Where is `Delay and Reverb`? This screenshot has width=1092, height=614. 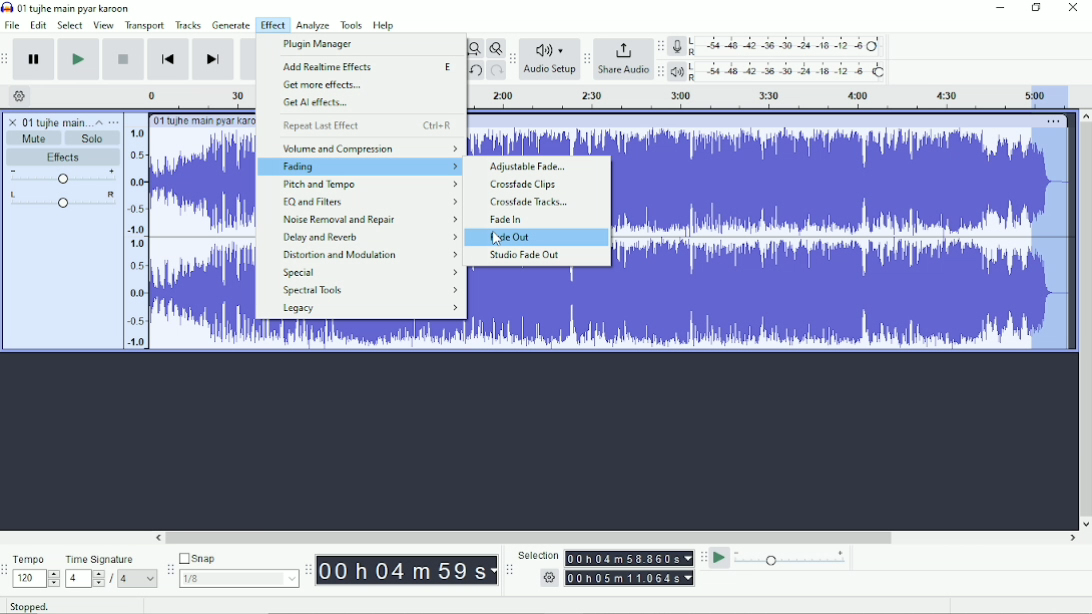 Delay and Reverb is located at coordinates (369, 238).